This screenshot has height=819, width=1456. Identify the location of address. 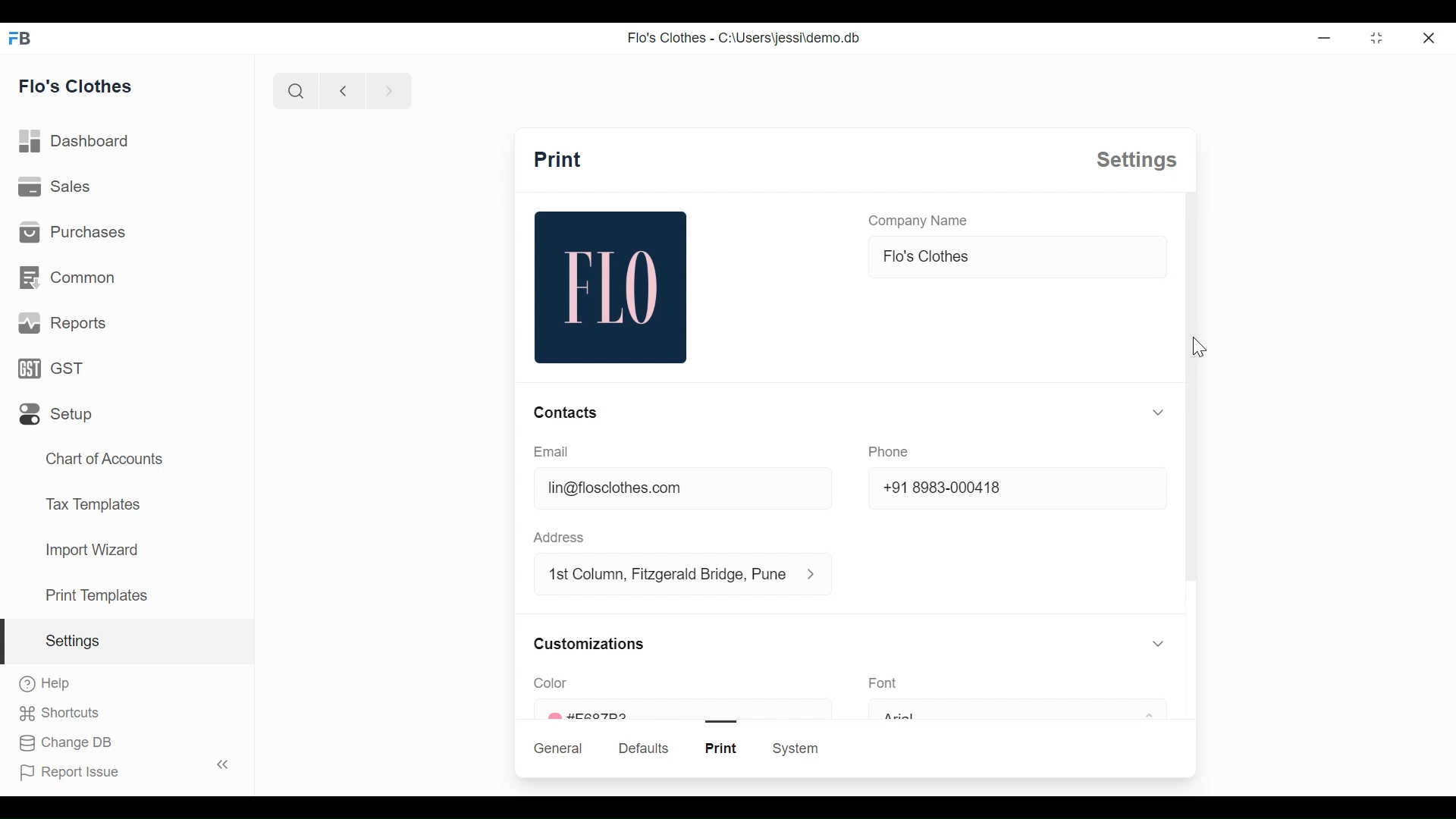
(560, 538).